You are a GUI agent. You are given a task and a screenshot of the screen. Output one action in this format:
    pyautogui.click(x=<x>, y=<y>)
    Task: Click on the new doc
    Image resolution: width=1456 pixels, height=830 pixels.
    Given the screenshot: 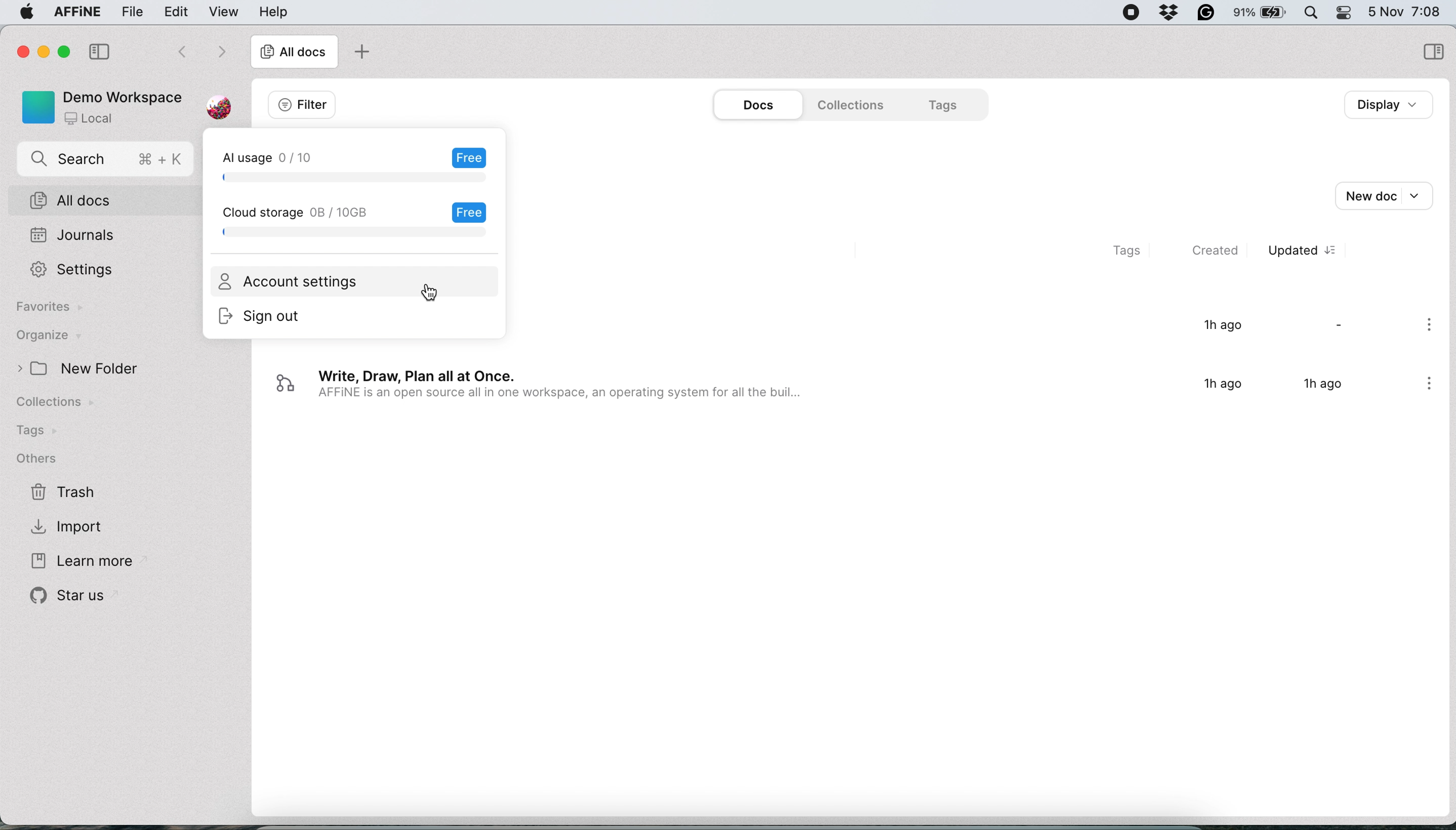 What is the action you would take?
    pyautogui.click(x=1391, y=194)
    